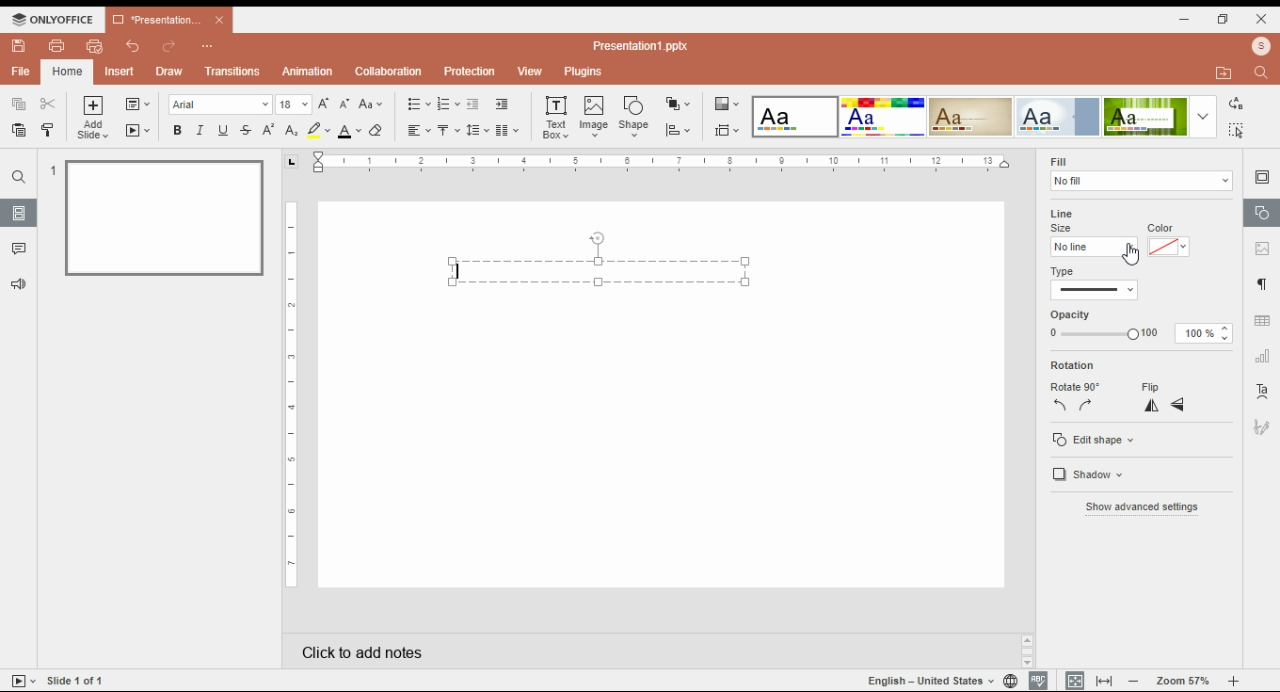 The image size is (1280, 692). What do you see at coordinates (1162, 227) in the screenshot?
I see `color` at bounding box center [1162, 227].